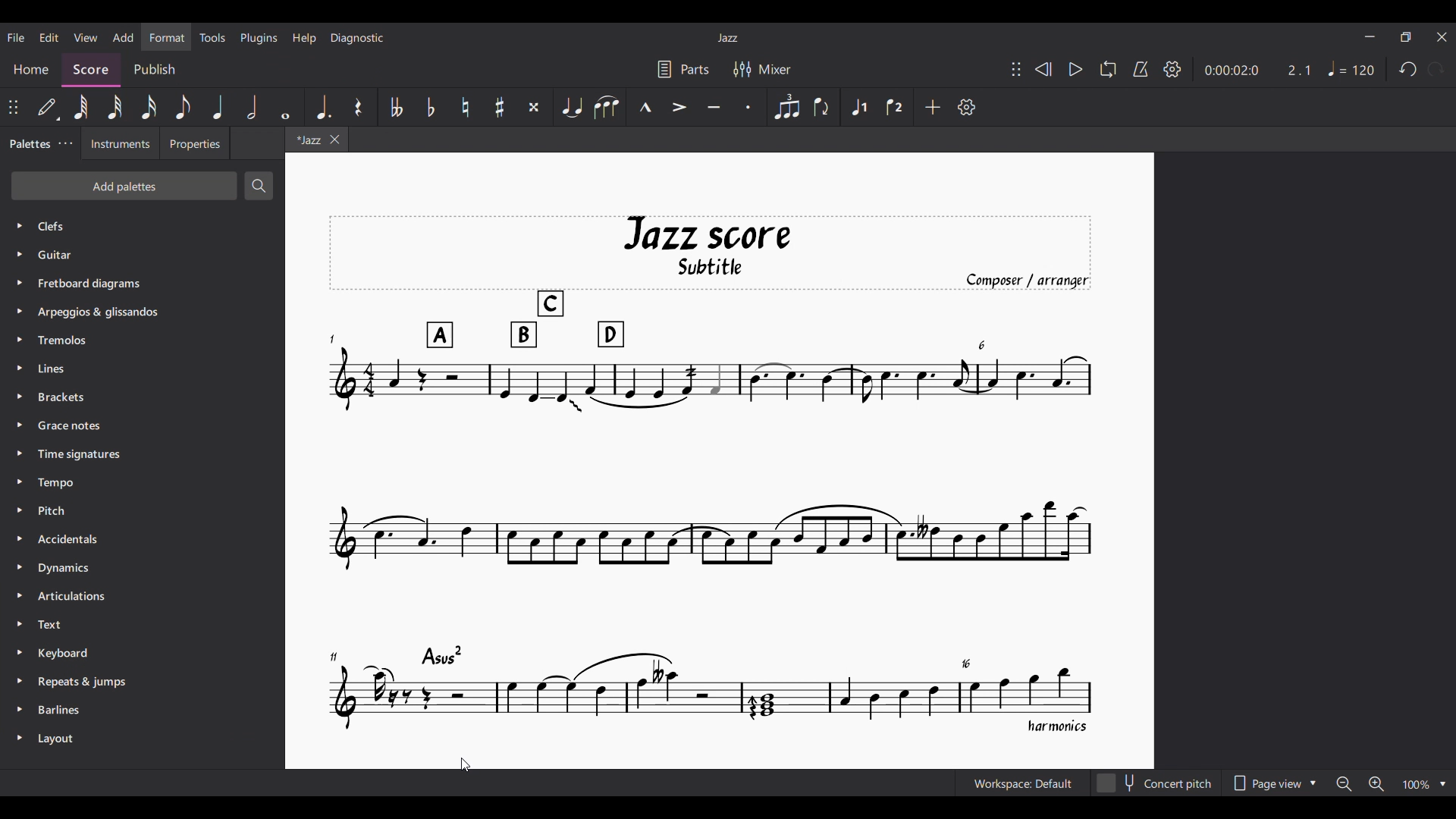 Image resolution: width=1456 pixels, height=819 pixels. What do you see at coordinates (1442, 37) in the screenshot?
I see `Close interface` at bounding box center [1442, 37].